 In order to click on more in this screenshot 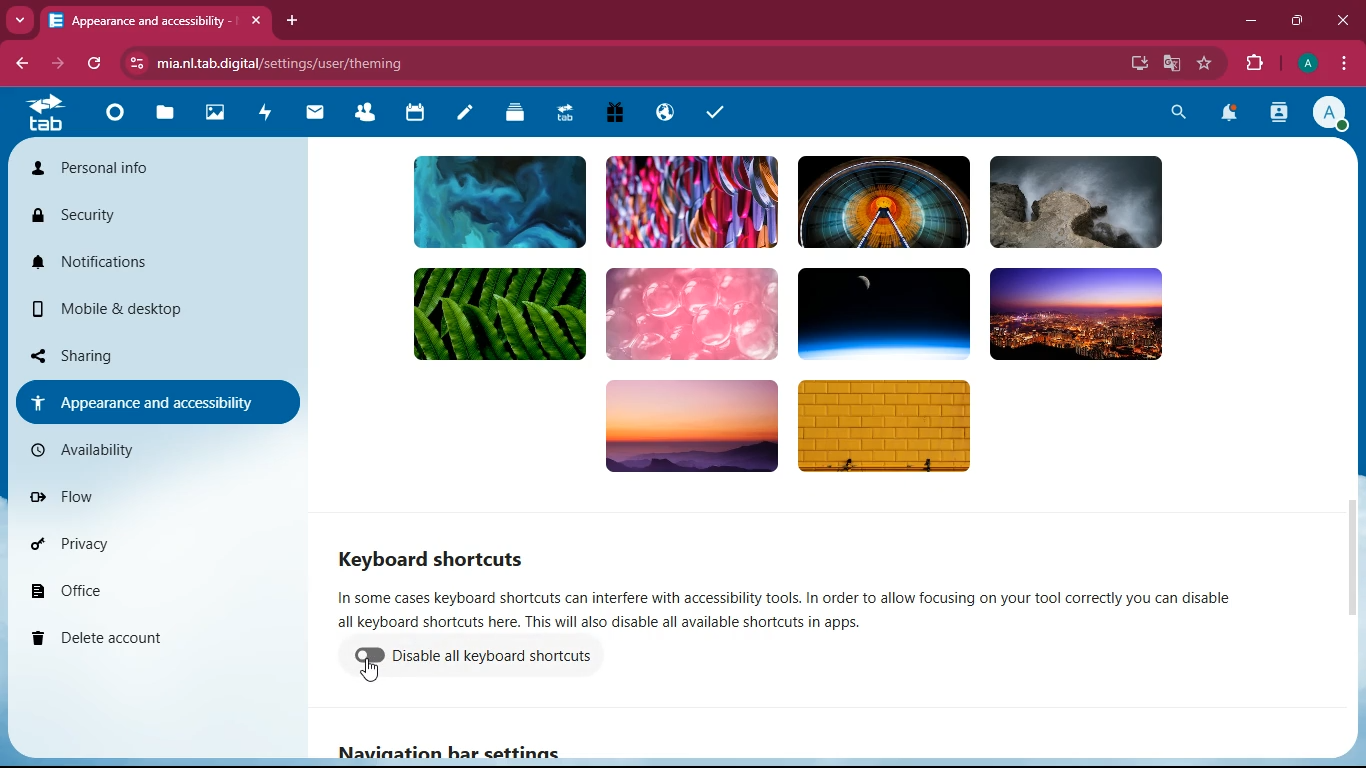, I will do `click(19, 19)`.